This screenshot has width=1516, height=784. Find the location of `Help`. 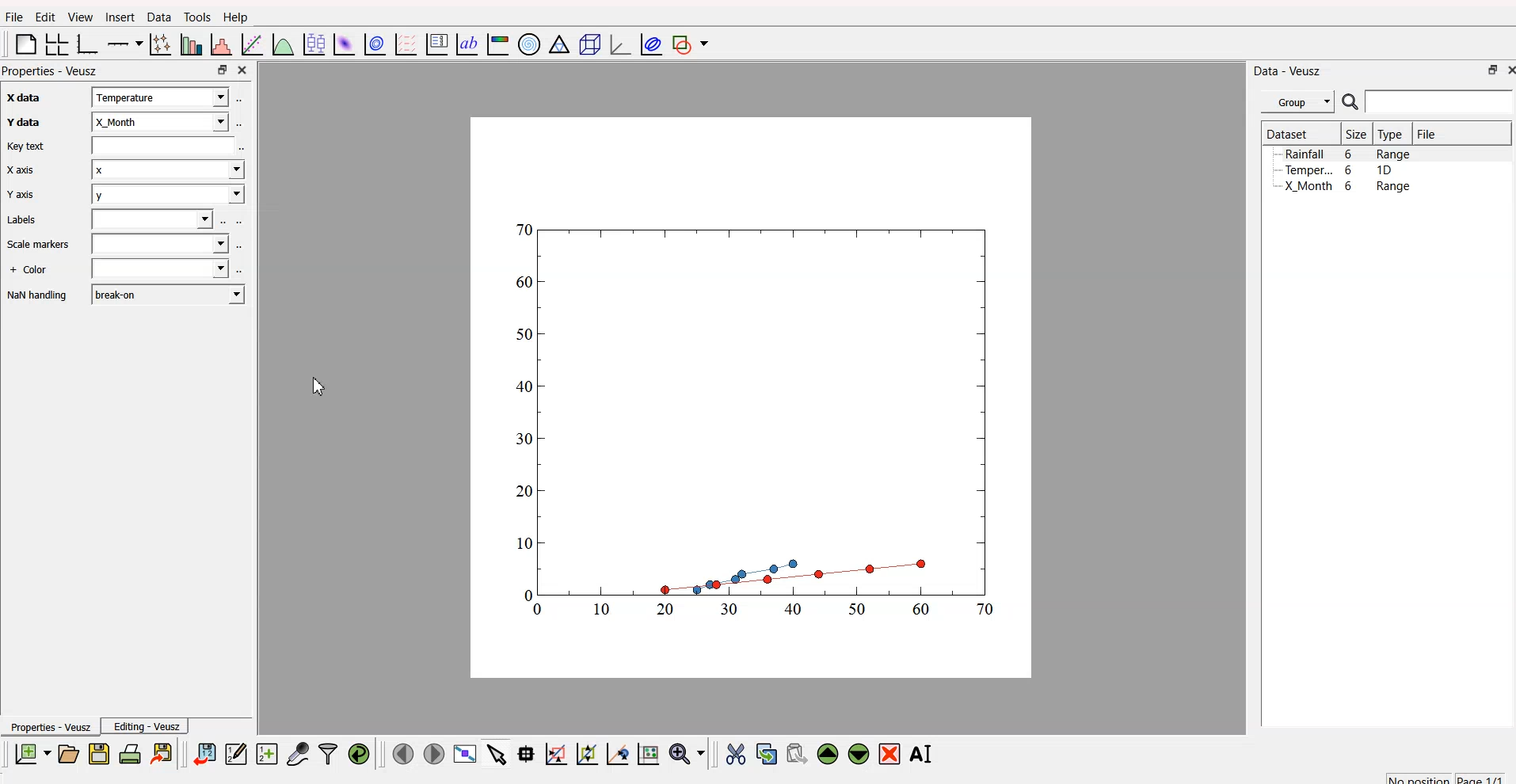

Help is located at coordinates (235, 17).